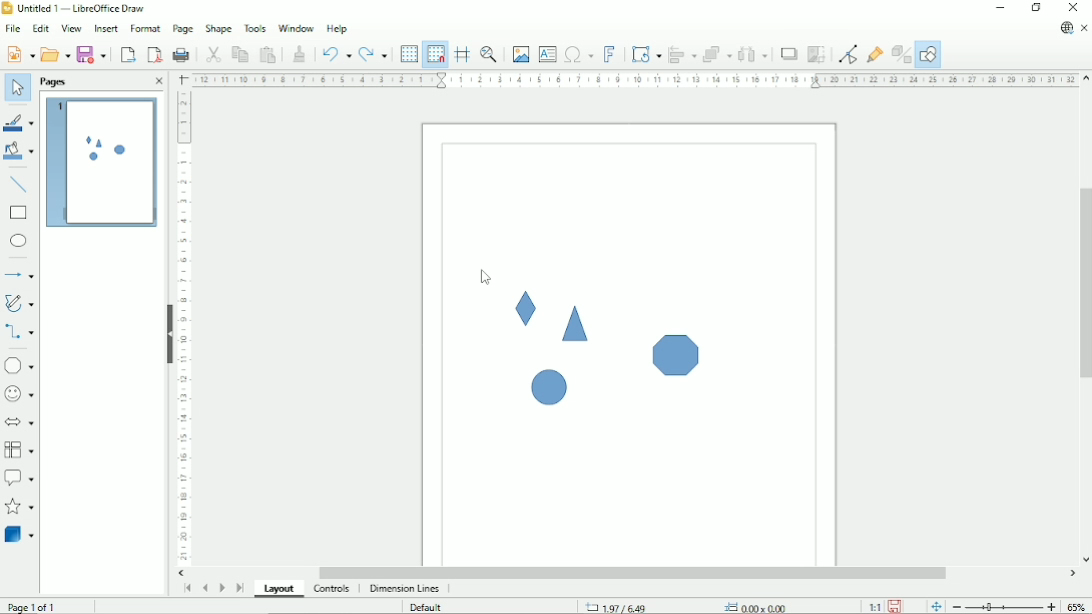  I want to click on Insert text box, so click(547, 54).